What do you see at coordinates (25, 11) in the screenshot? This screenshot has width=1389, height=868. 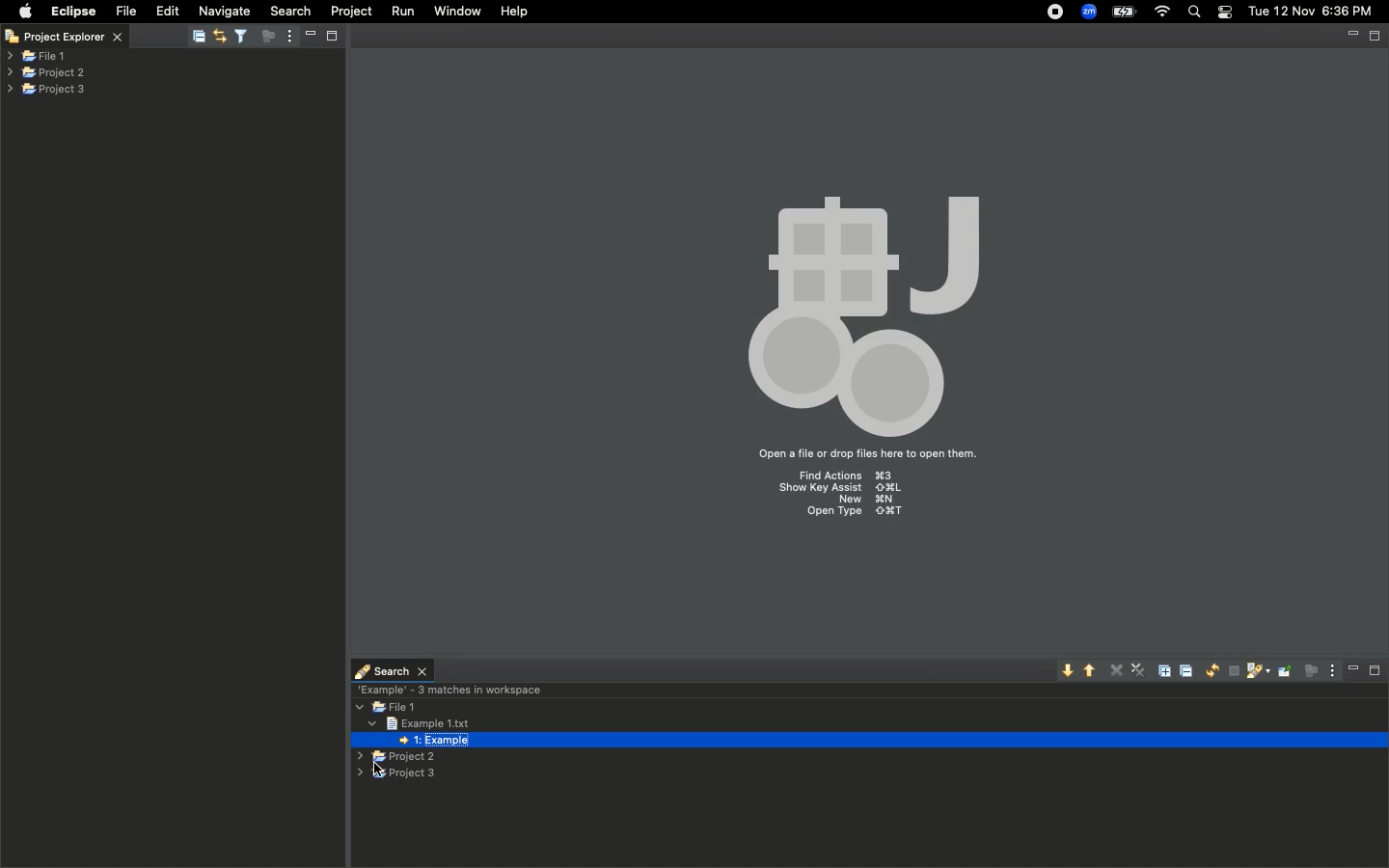 I see `Apple logo` at bounding box center [25, 11].